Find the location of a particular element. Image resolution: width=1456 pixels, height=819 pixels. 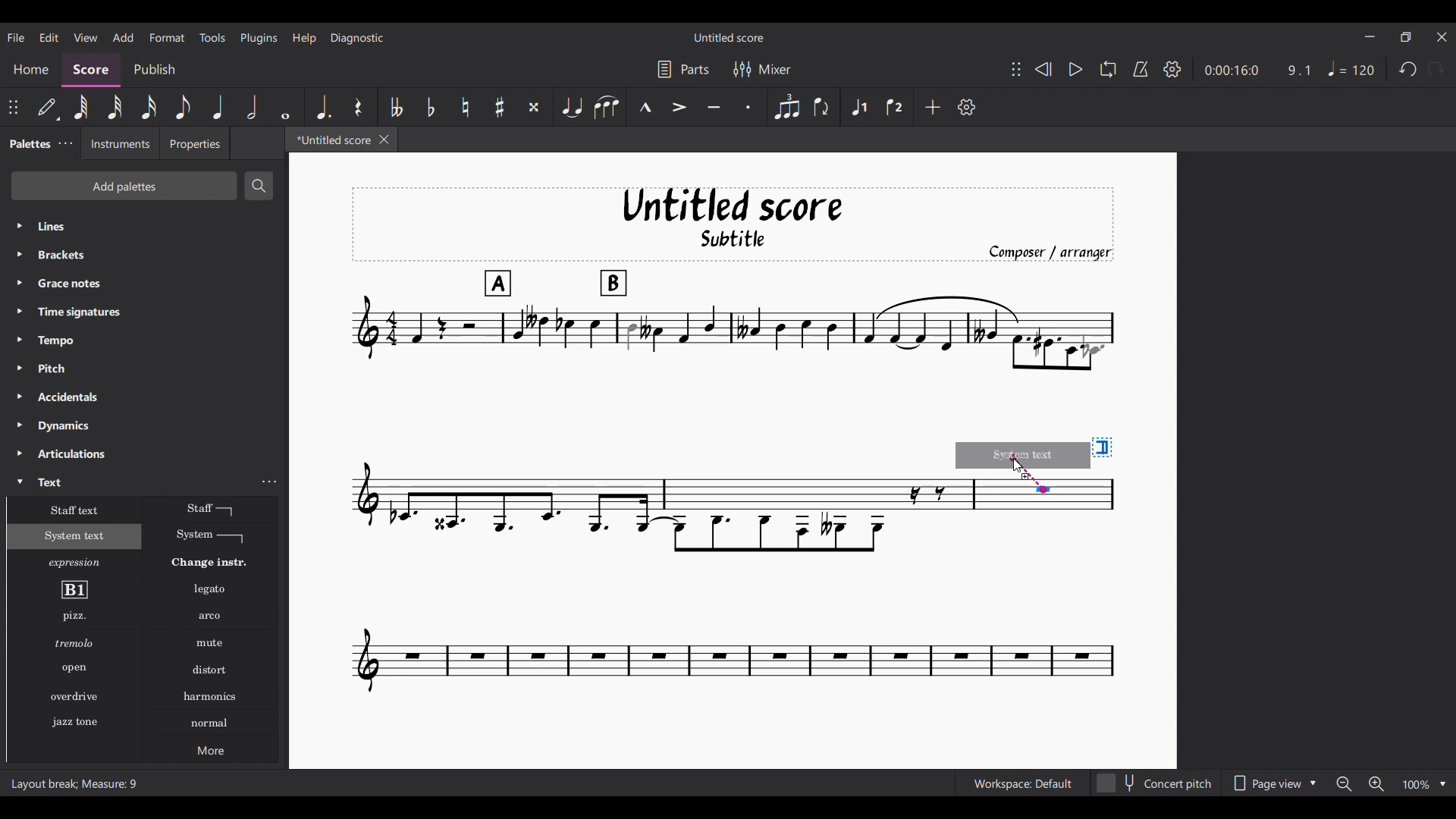

Edit menu is located at coordinates (49, 38).